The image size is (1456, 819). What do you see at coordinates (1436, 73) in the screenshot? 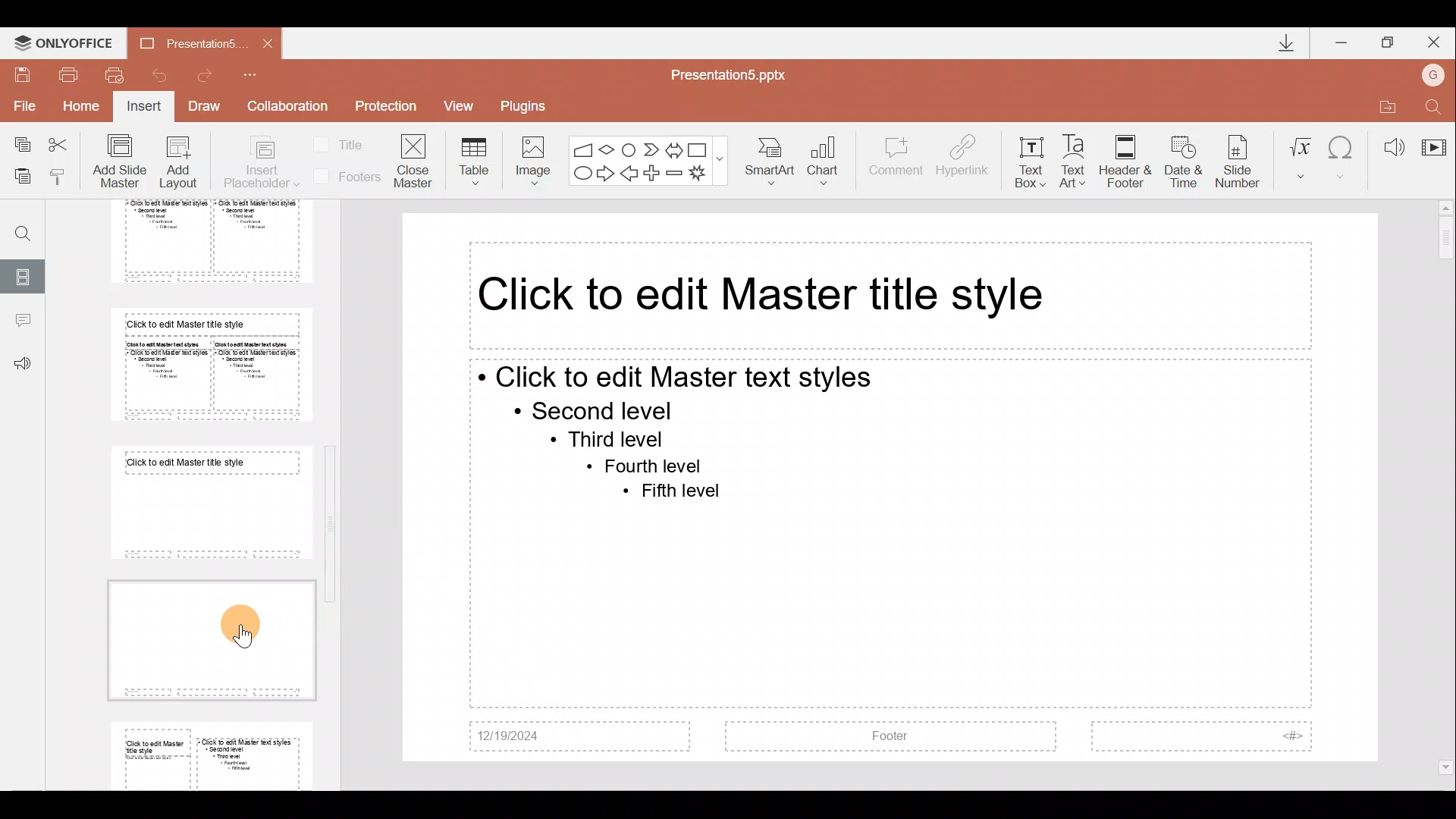
I see `Account name` at bounding box center [1436, 73].